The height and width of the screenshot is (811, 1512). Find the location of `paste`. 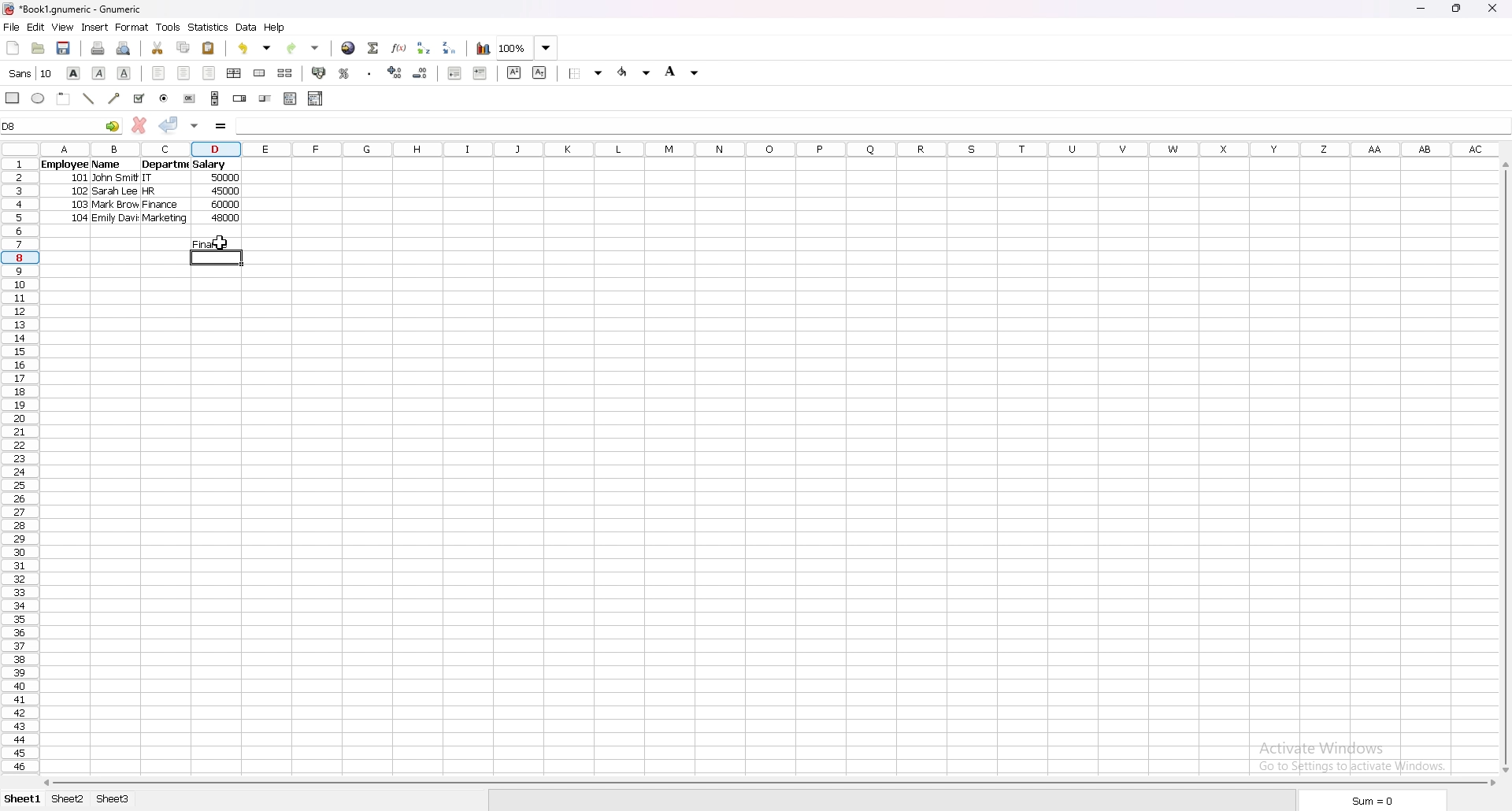

paste is located at coordinates (209, 48).